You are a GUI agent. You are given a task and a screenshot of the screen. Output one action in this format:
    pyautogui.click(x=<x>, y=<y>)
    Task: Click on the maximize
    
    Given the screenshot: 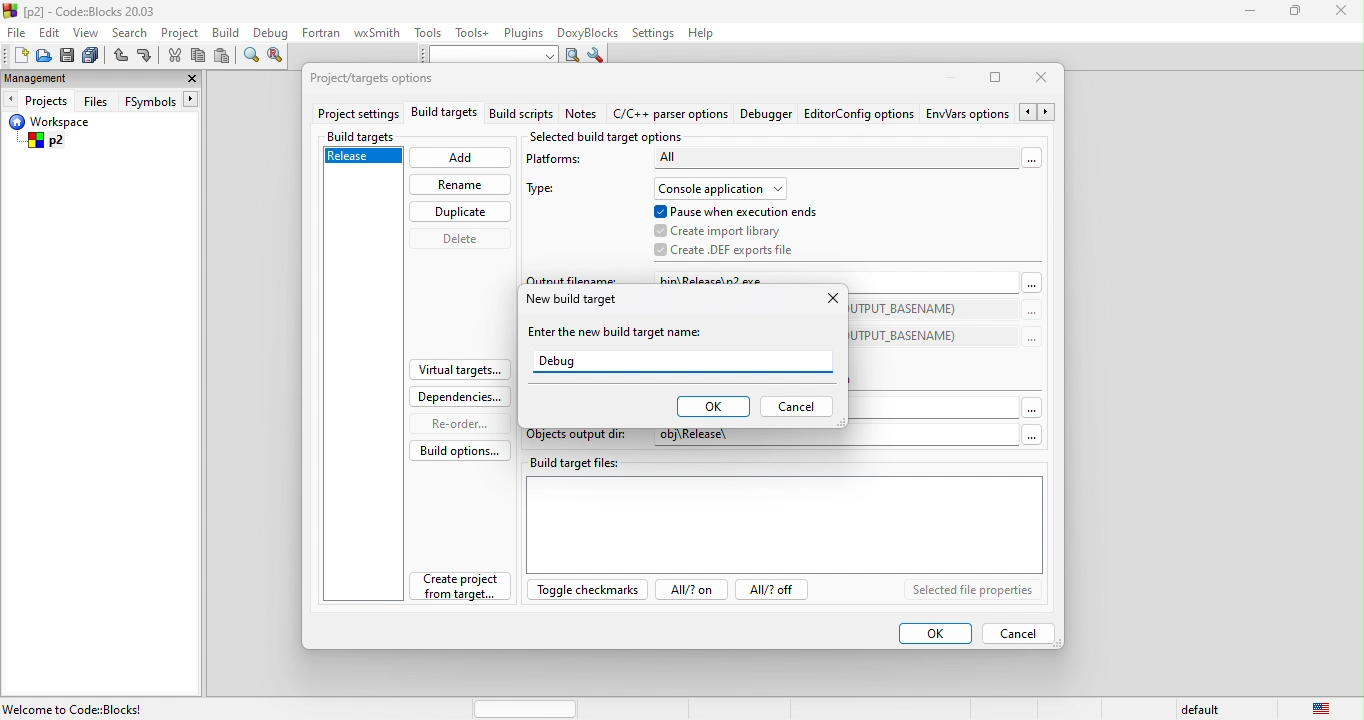 What is the action you would take?
    pyautogui.click(x=1301, y=13)
    